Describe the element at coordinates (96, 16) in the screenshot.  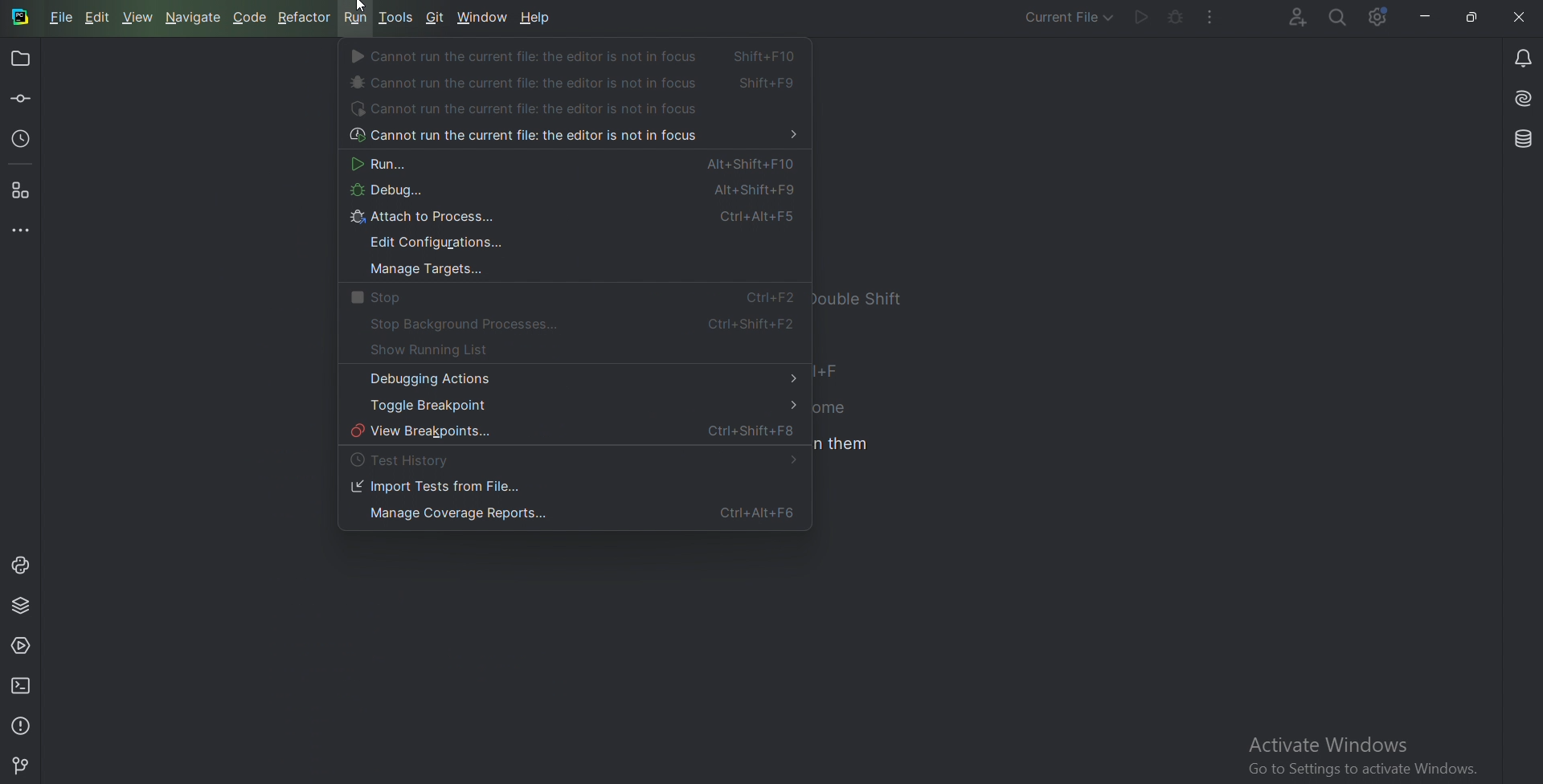
I see `Edit` at that location.